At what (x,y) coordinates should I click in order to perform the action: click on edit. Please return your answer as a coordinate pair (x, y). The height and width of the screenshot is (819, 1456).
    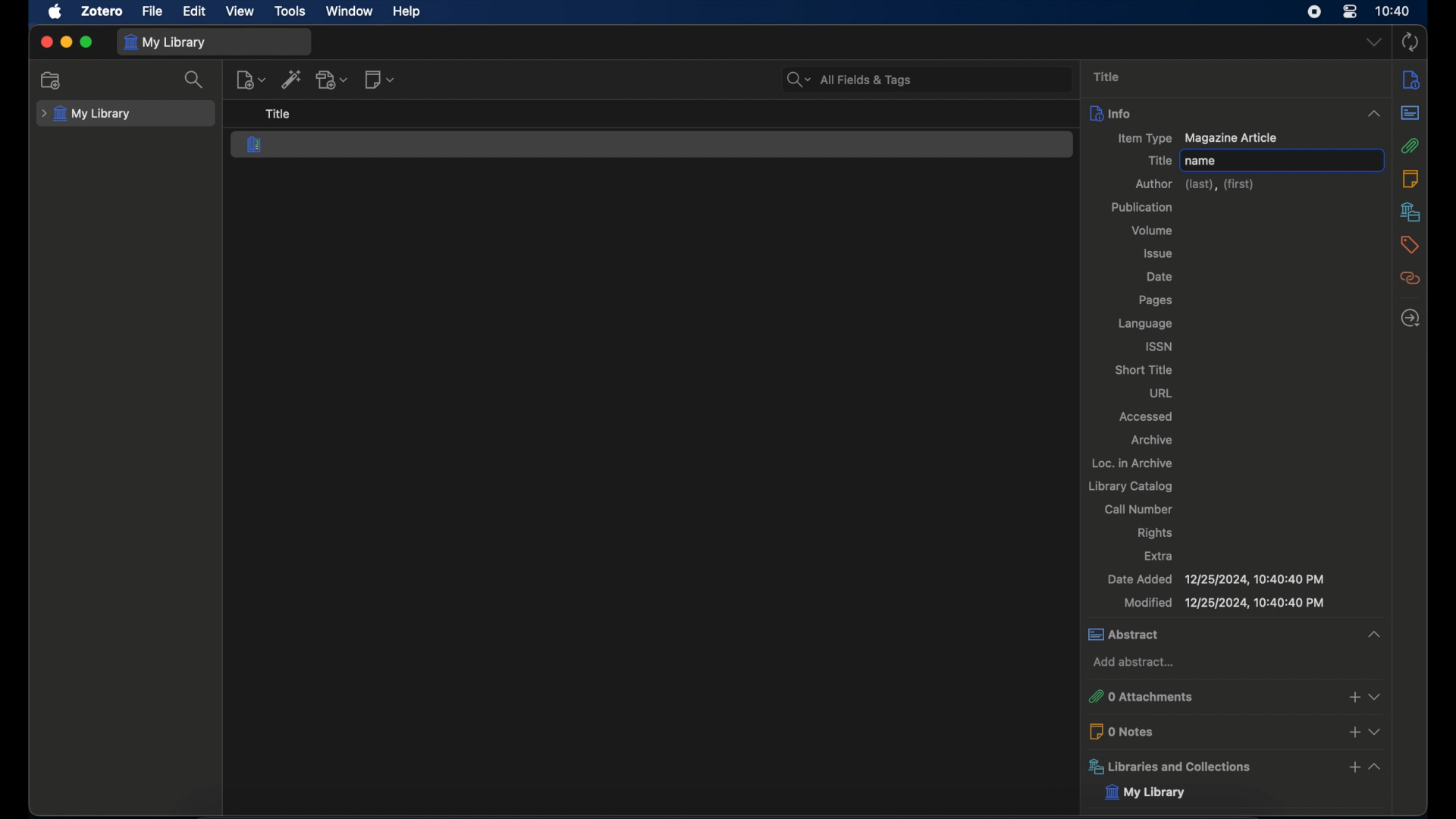
    Looking at the image, I should click on (196, 10).